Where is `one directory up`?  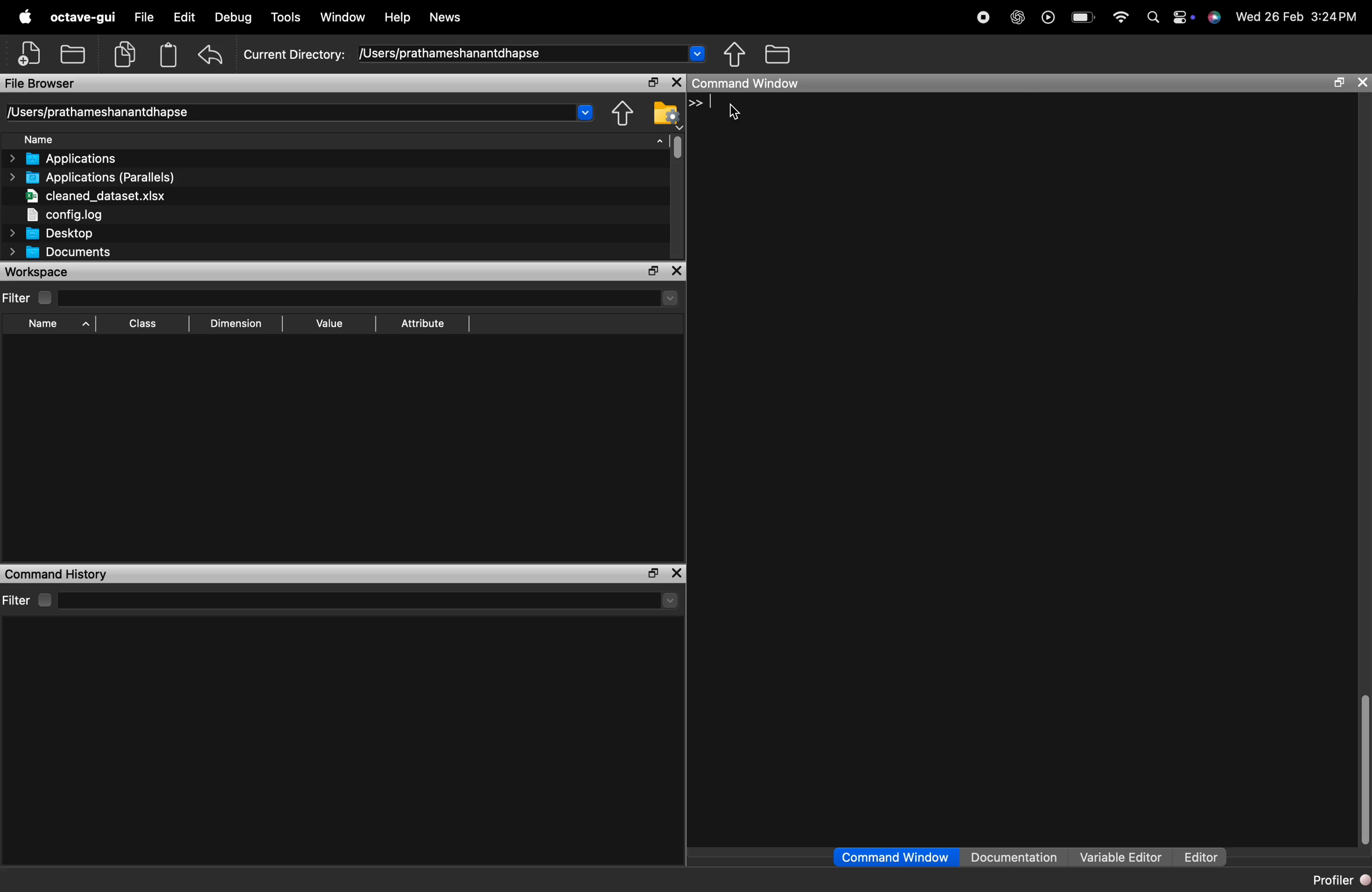 one directory up is located at coordinates (737, 55).